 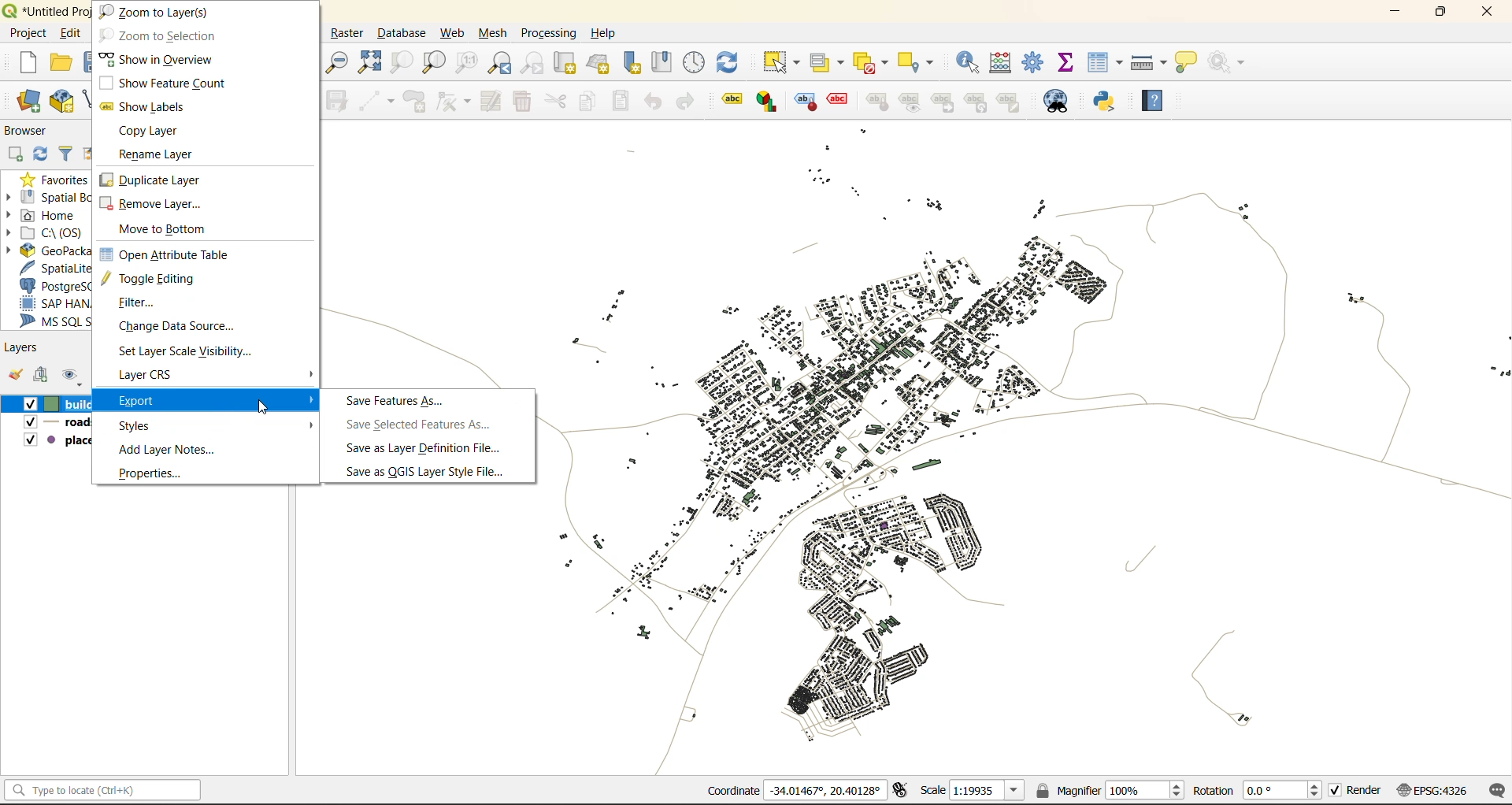 What do you see at coordinates (453, 105) in the screenshot?
I see `vertex tools` at bounding box center [453, 105].